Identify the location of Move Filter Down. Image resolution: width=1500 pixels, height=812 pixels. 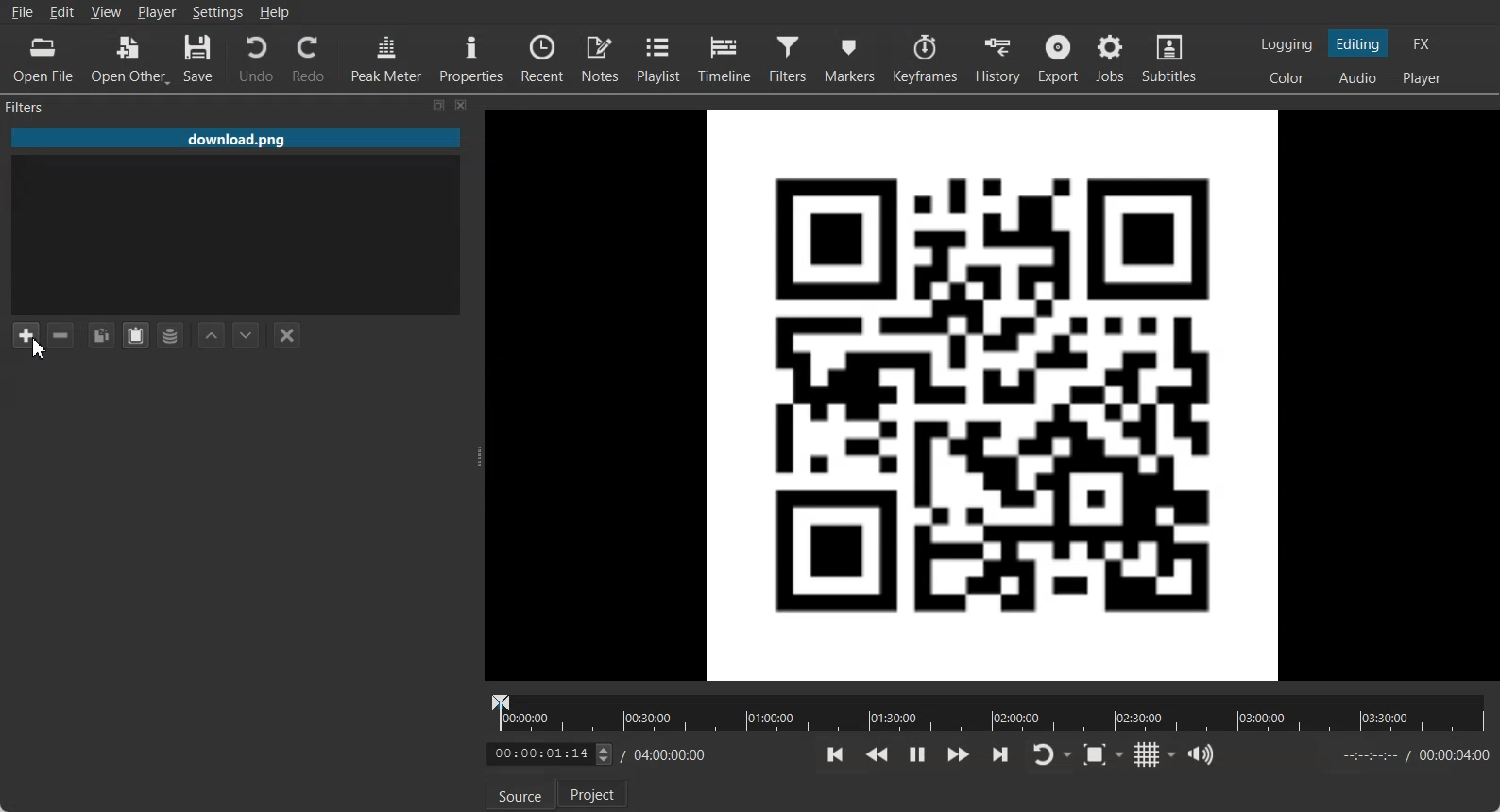
(247, 335).